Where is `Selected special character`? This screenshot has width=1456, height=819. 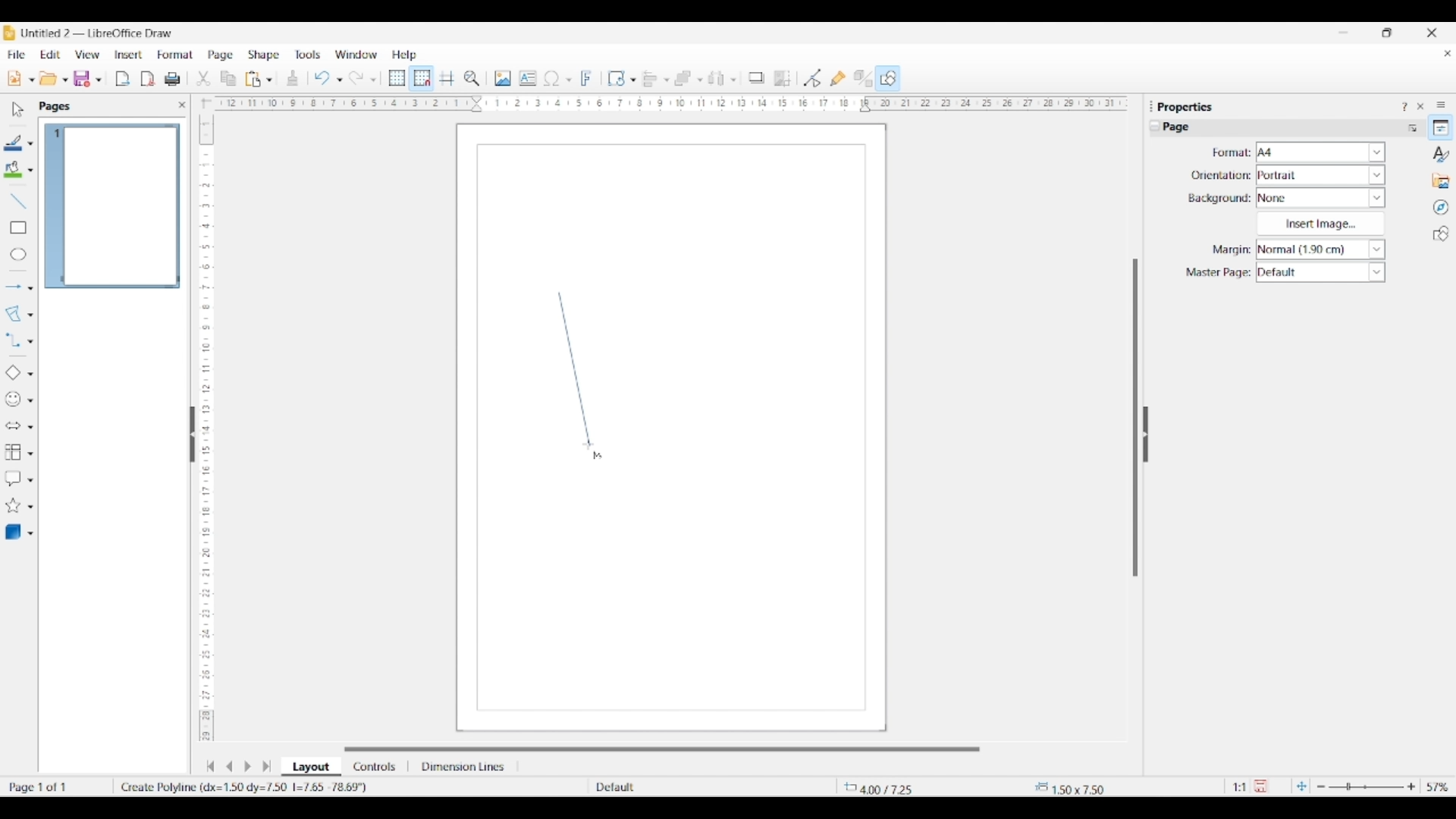 Selected special character is located at coordinates (552, 78).